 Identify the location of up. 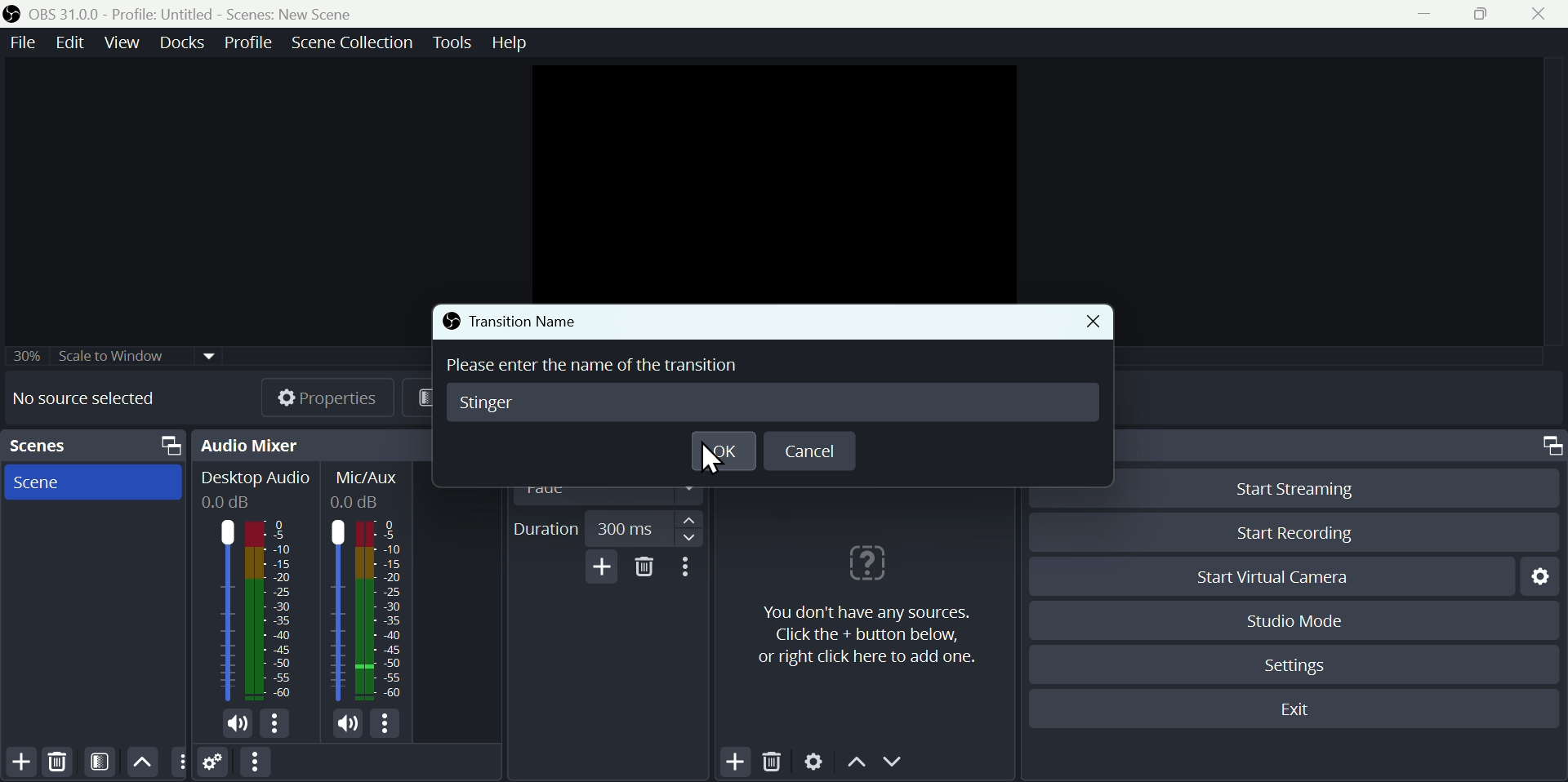
(857, 766).